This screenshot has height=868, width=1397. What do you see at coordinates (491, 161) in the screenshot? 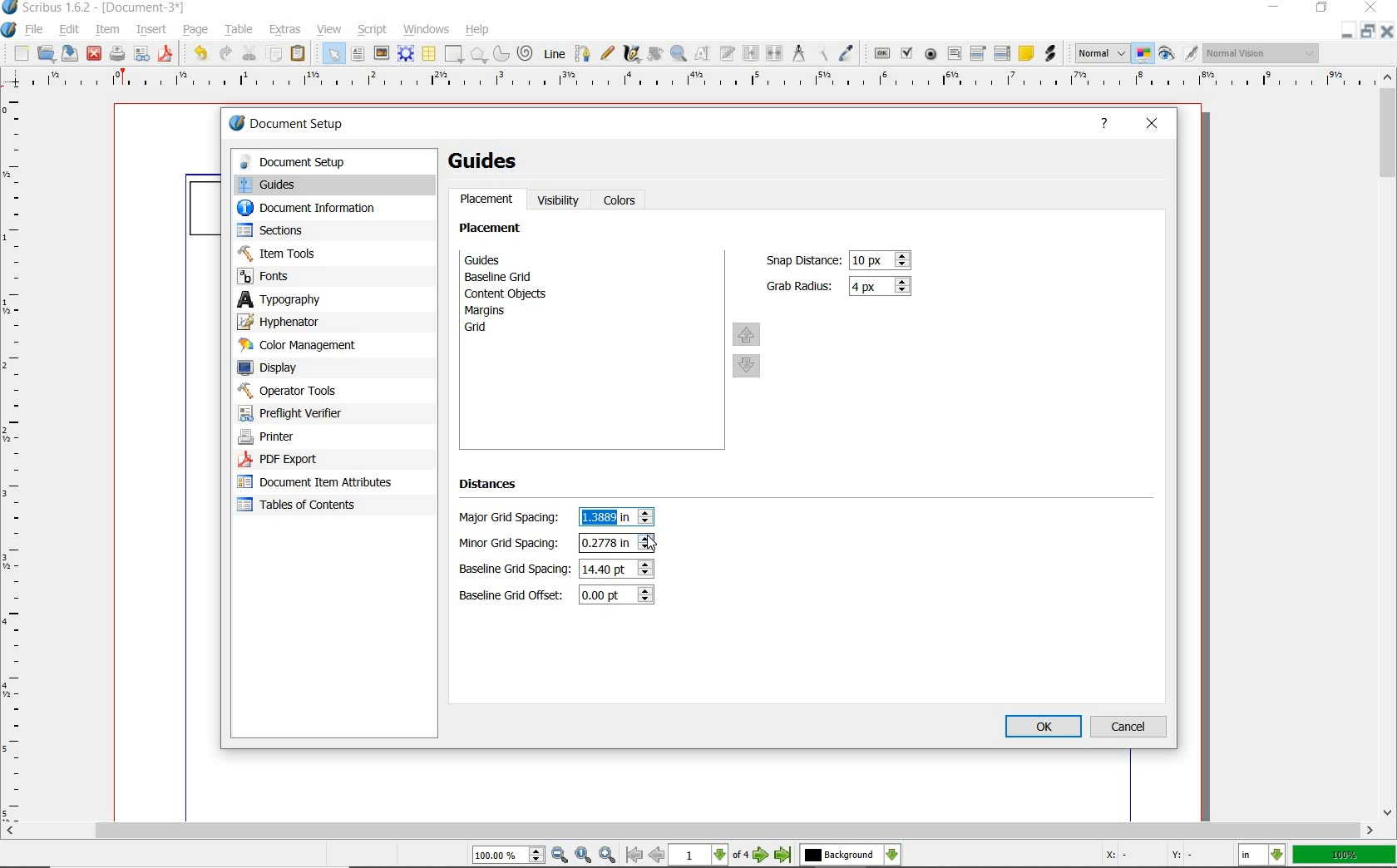
I see `guides` at bounding box center [491, 161].